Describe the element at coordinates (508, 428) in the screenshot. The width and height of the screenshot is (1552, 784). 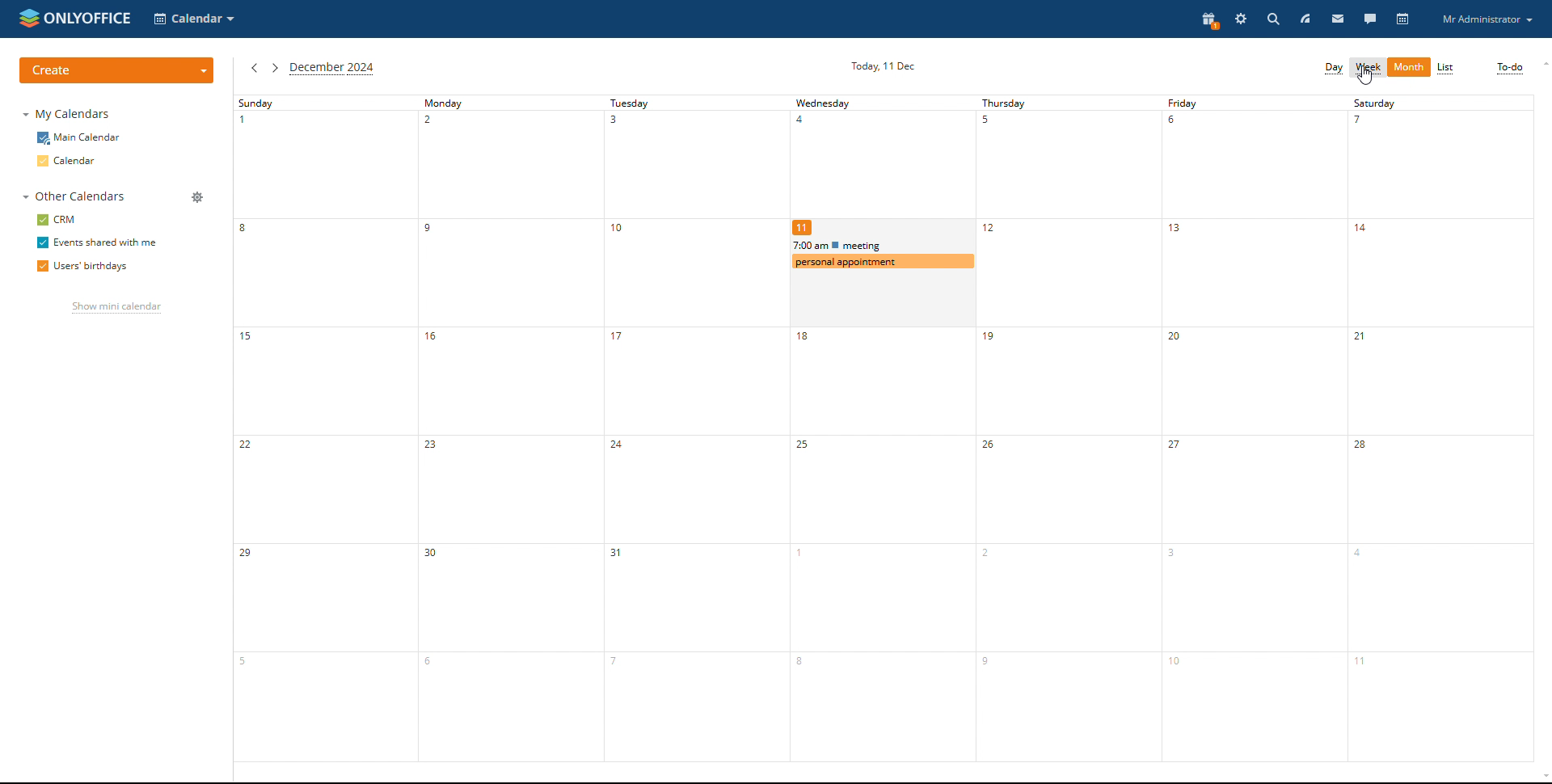
I see `monday` at that location.